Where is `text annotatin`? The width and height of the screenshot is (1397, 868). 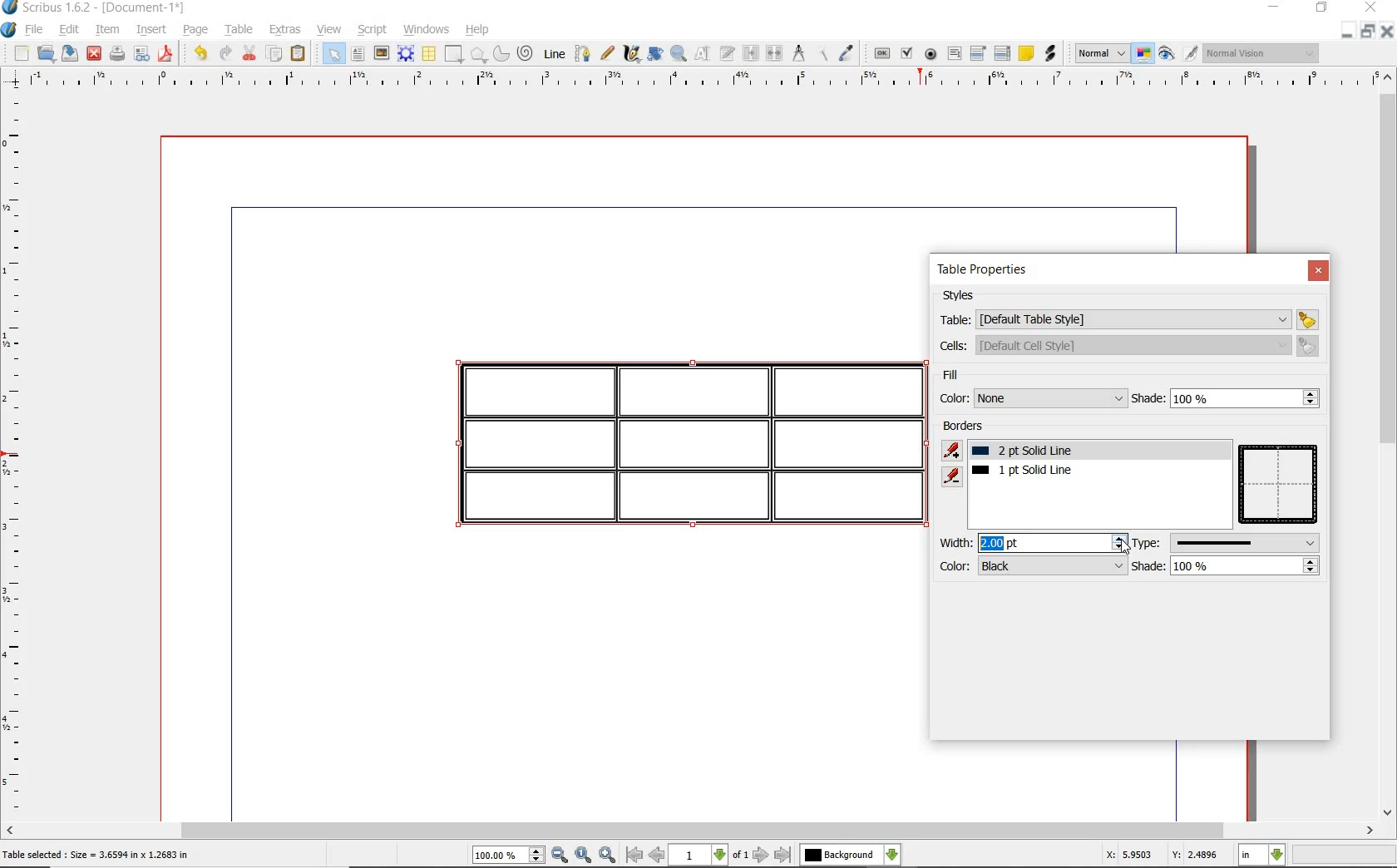
text annotatin is located at coordinates (1026, 52).